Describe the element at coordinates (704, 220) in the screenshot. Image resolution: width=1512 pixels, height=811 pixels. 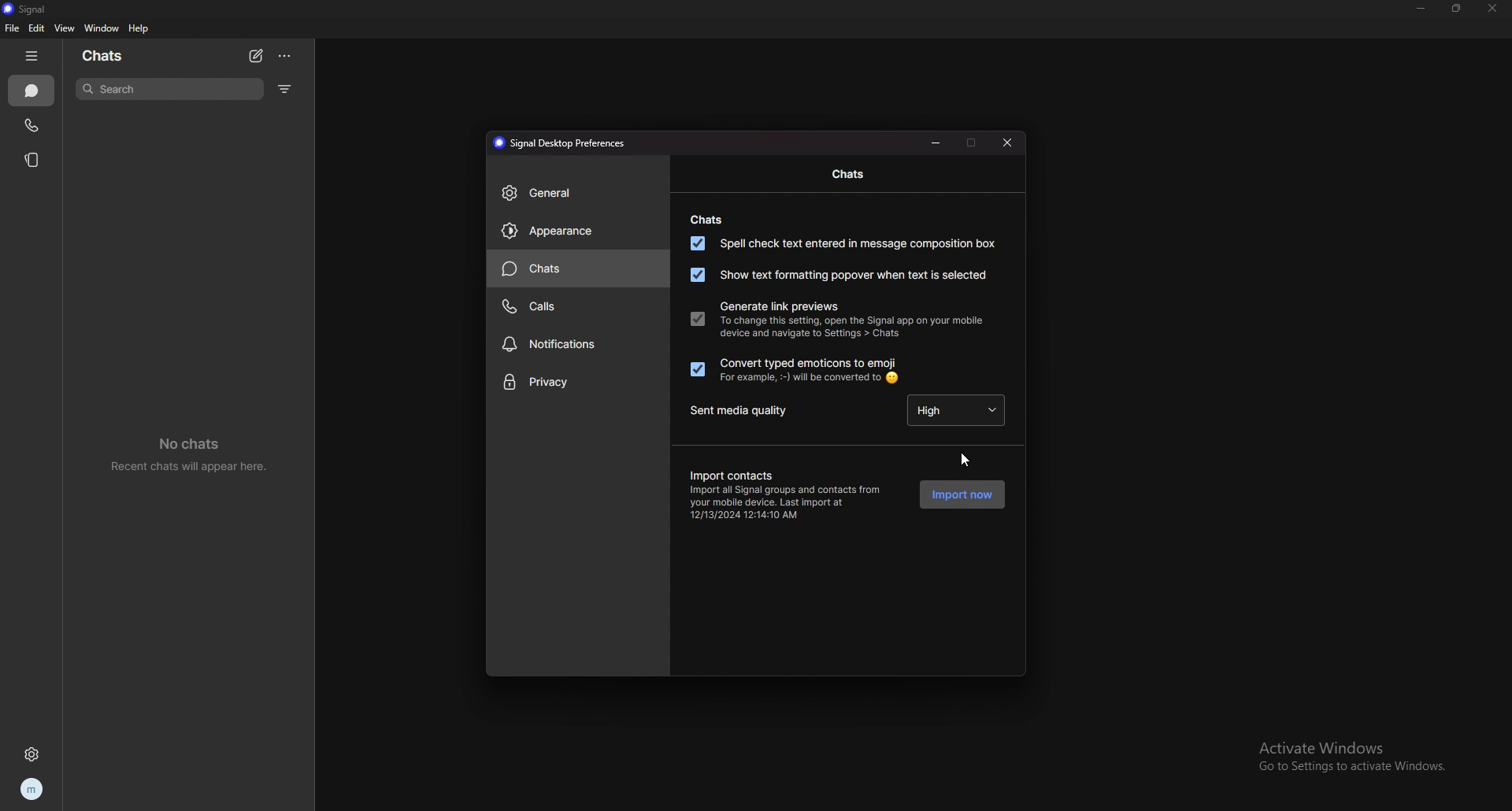
I see `chats` at that location.